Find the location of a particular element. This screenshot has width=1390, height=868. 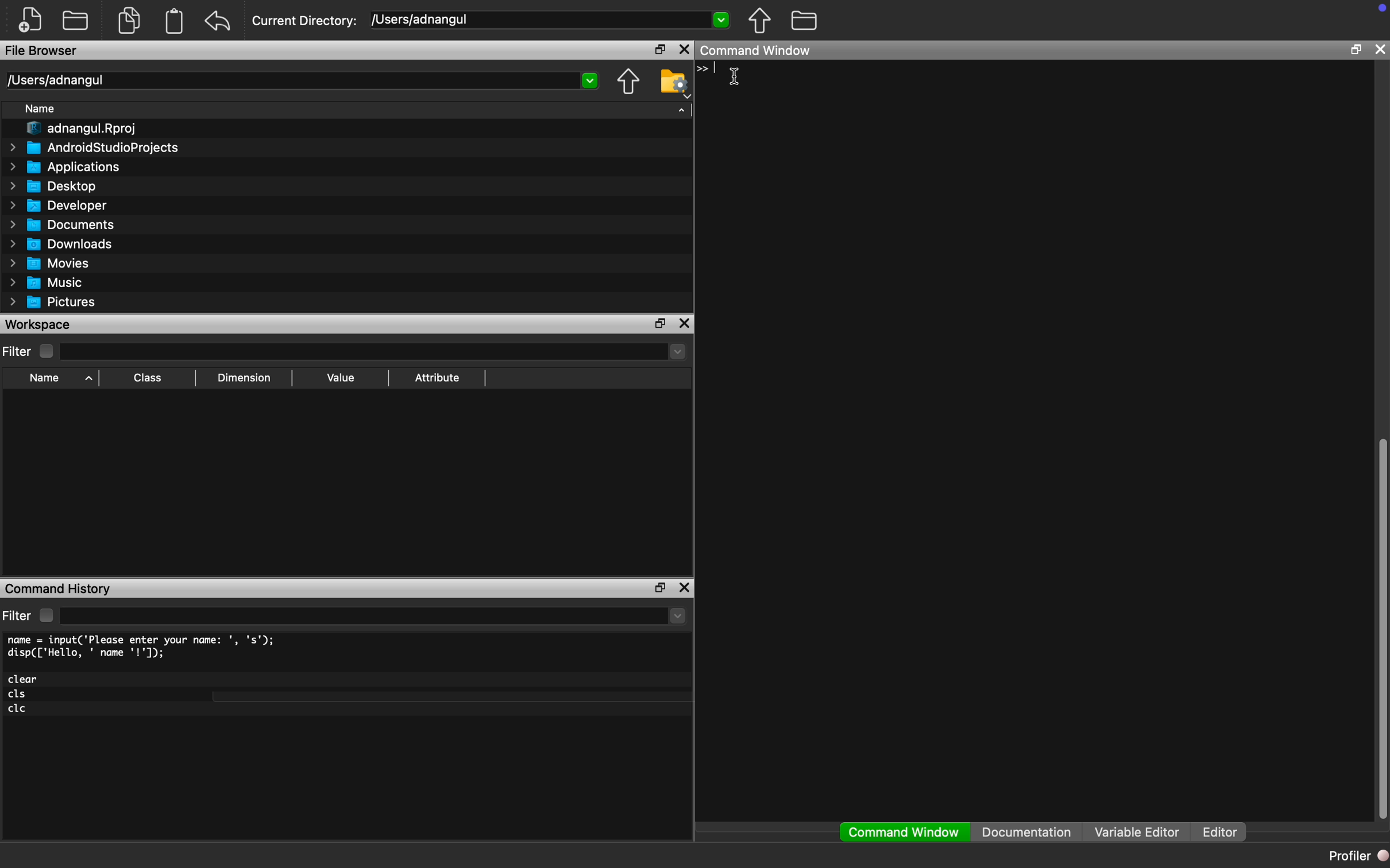

maximize is located at coordinates (658, 51).